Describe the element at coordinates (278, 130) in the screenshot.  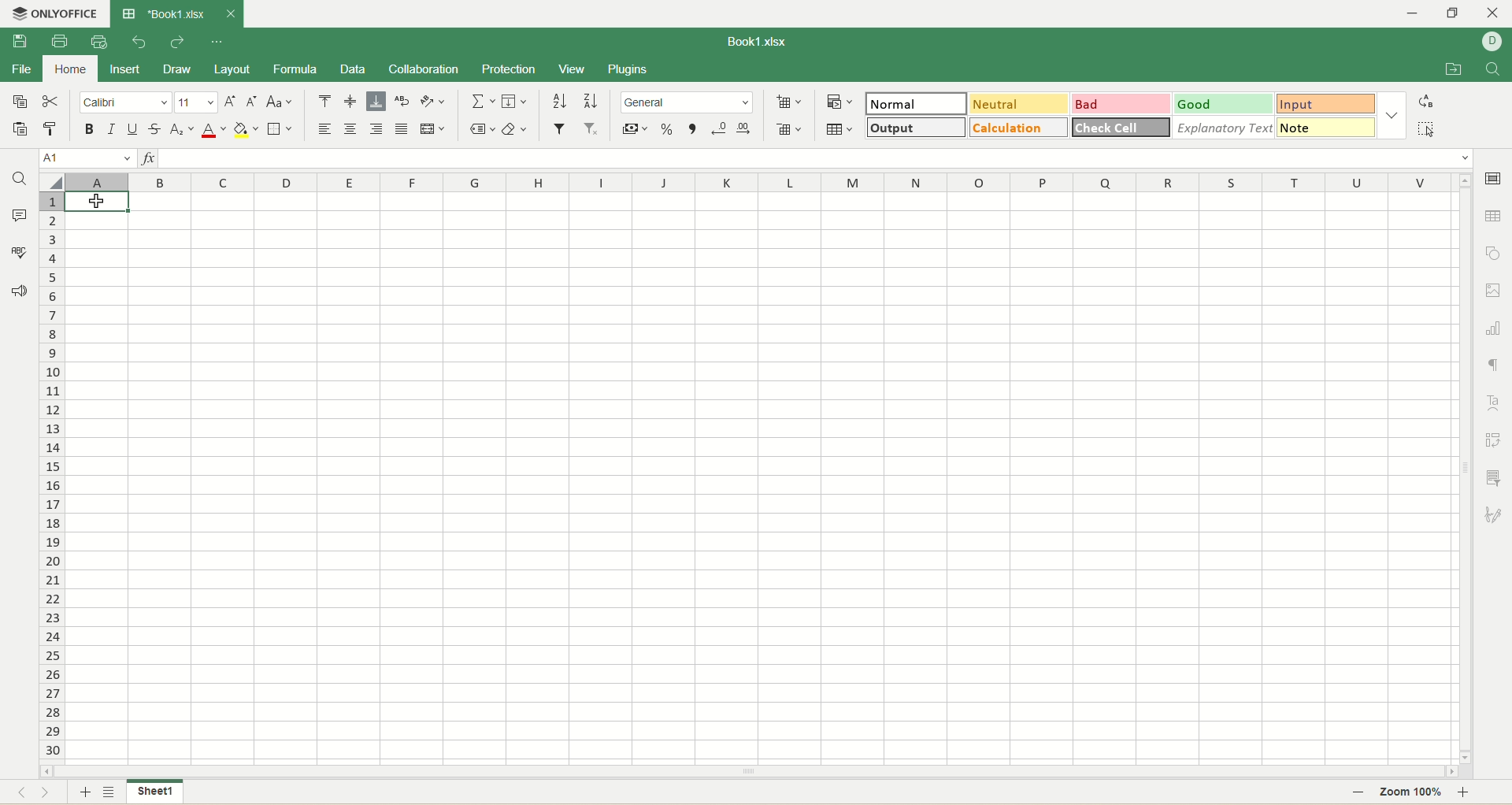
I see `border` at that location.